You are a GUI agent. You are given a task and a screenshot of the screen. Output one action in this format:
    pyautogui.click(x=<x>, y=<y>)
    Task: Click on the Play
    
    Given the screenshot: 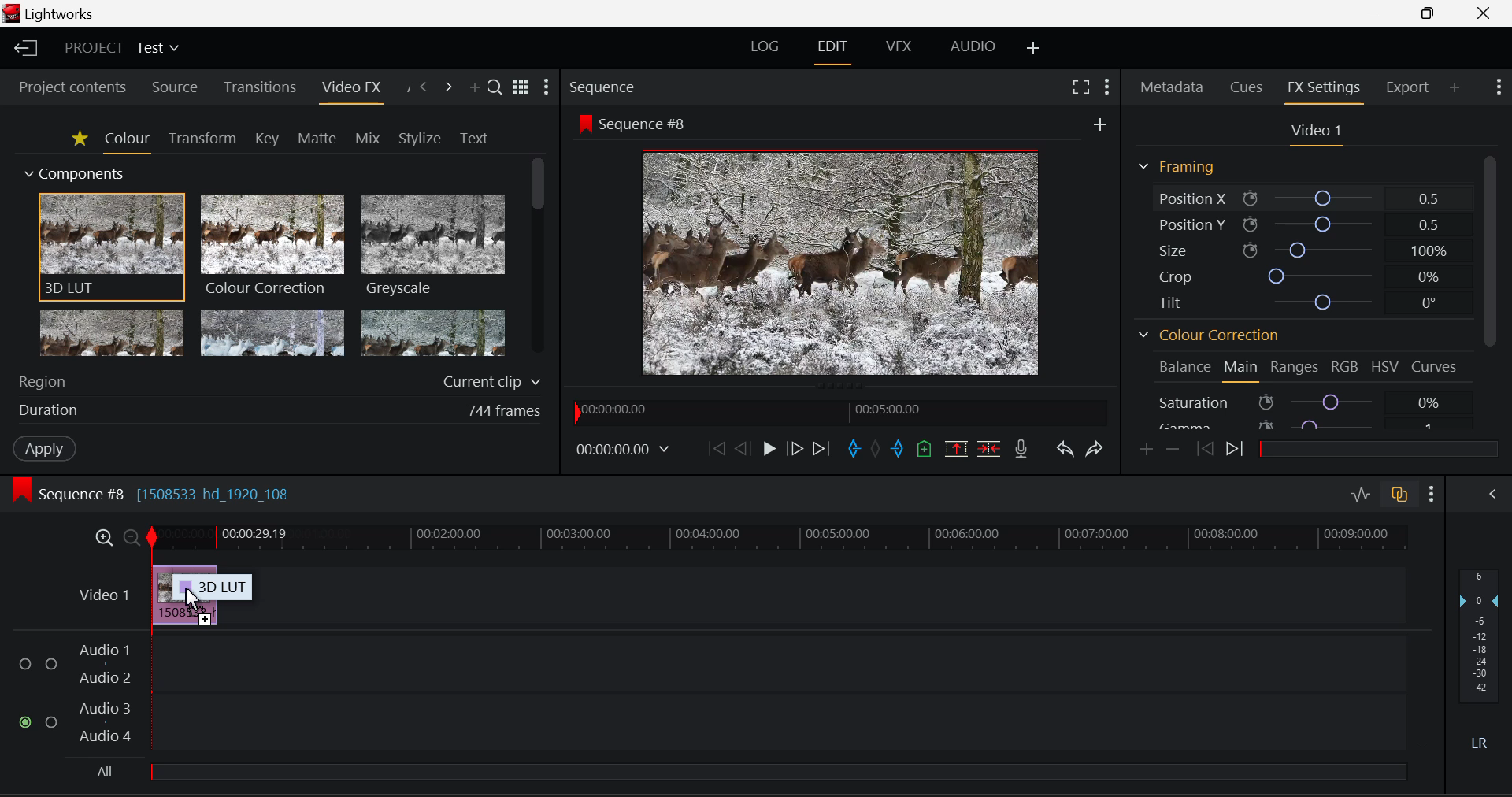 What is the action you would take?
    pyautogui.click(x=767, y=449)
    